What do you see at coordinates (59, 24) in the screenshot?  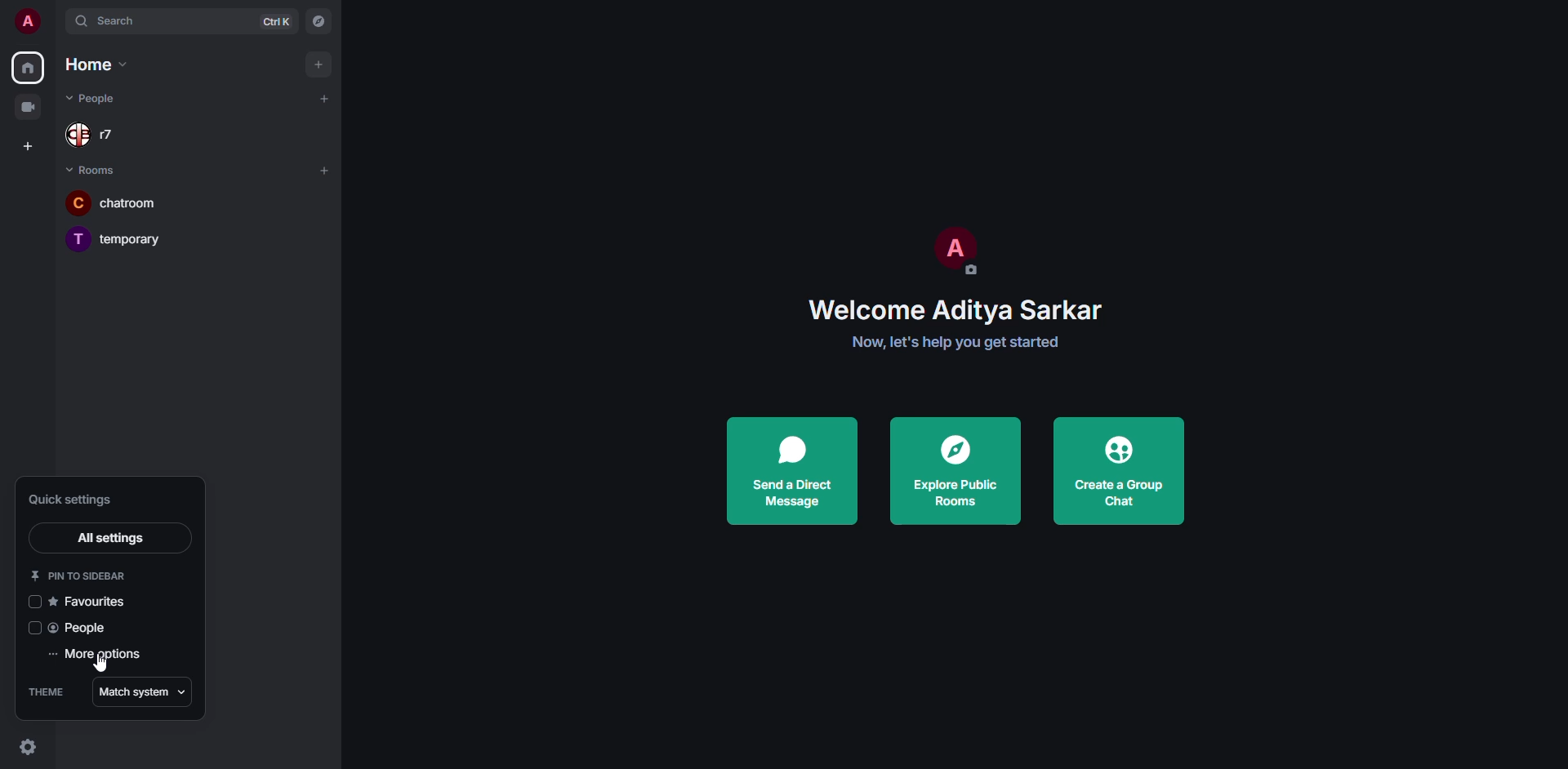 I see `expand` at bounding box center [59, 24].